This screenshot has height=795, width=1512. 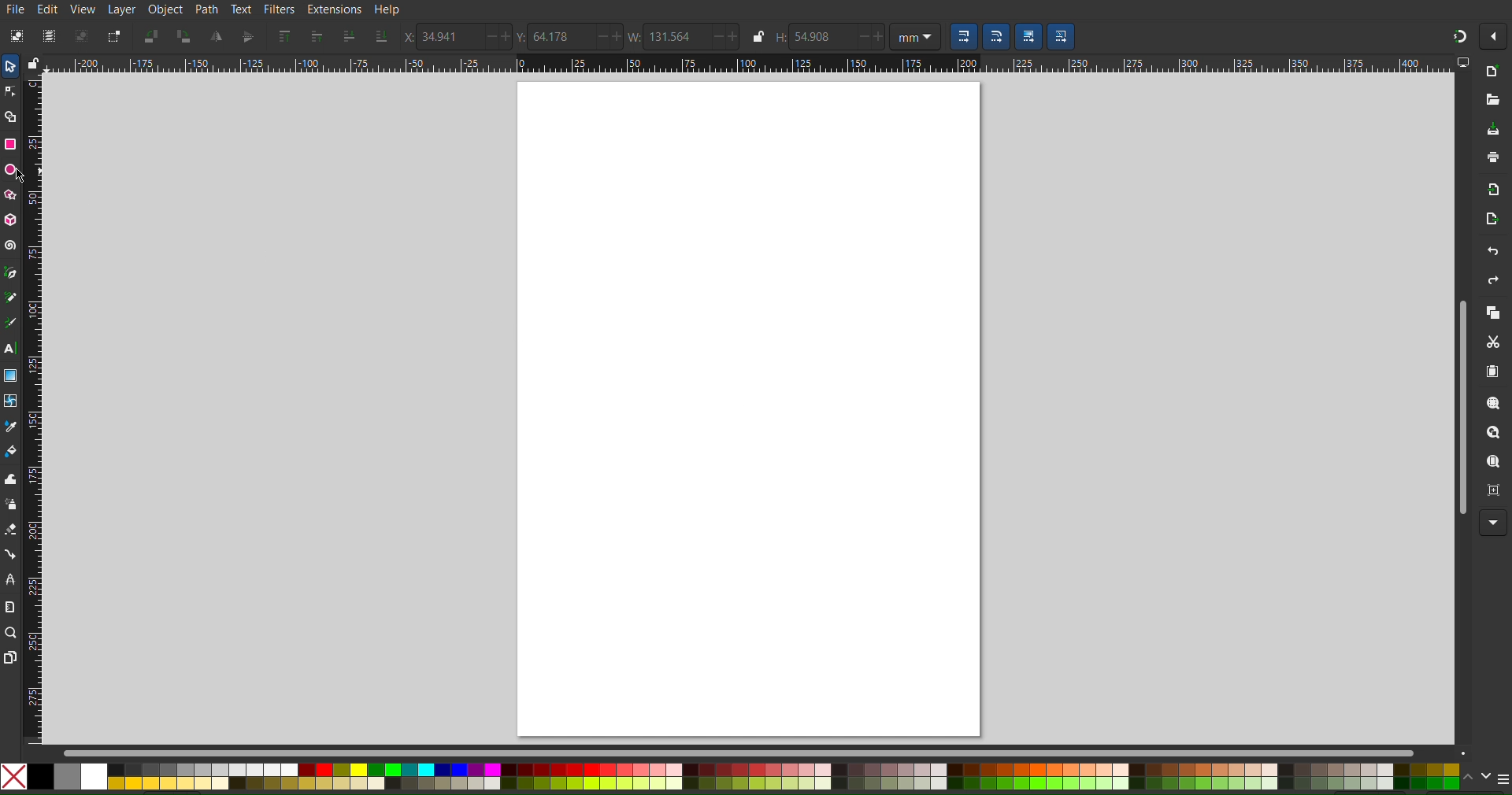 What do you see at coordinates (15, 36) in the screenshot?
I see `Select Object` at bounding box center [15, 36].